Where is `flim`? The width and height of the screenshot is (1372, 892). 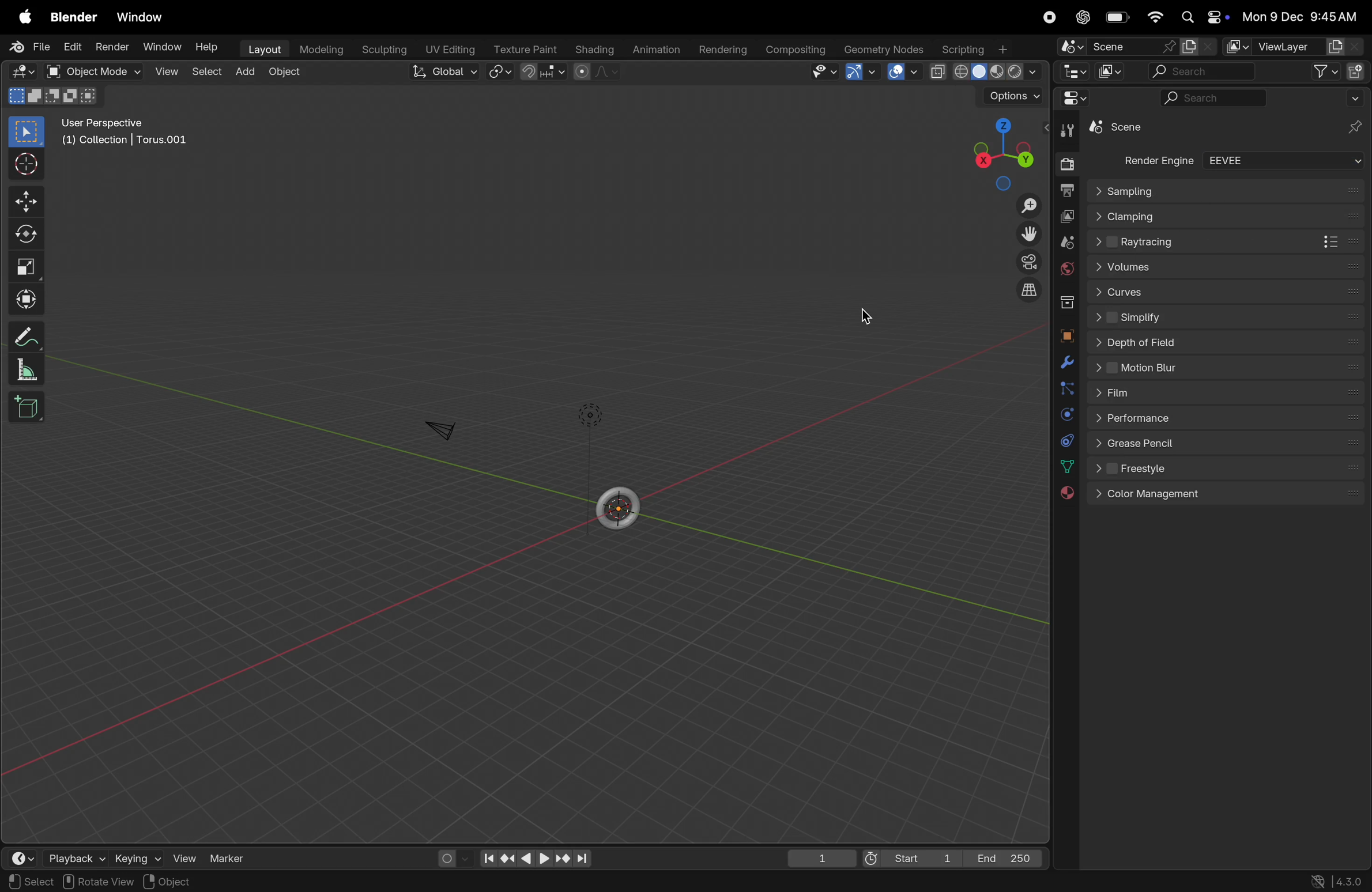 flim is located at coordinates (1227, 394).